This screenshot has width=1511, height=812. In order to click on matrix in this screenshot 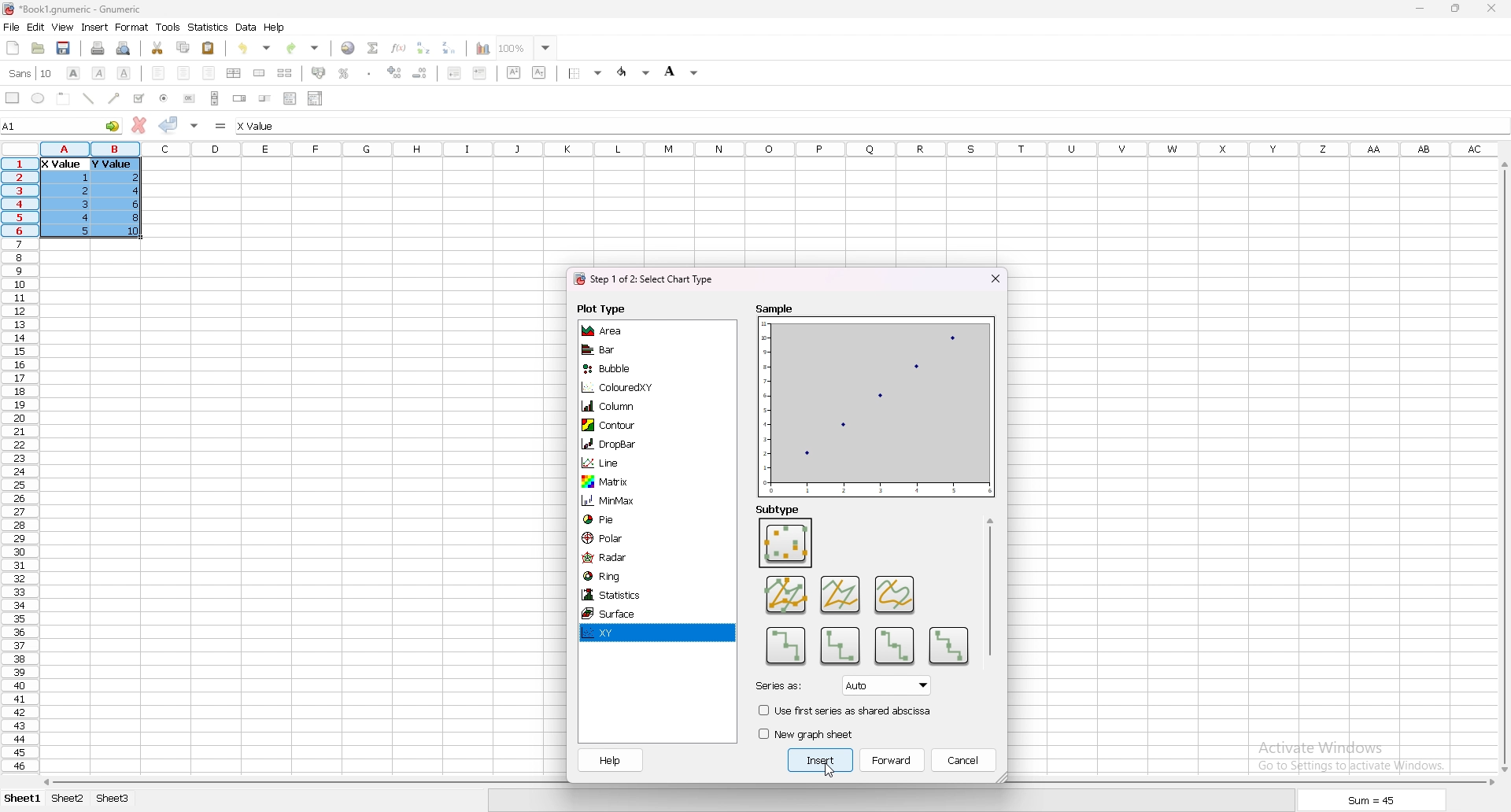, I will do `click(629, 482)`.